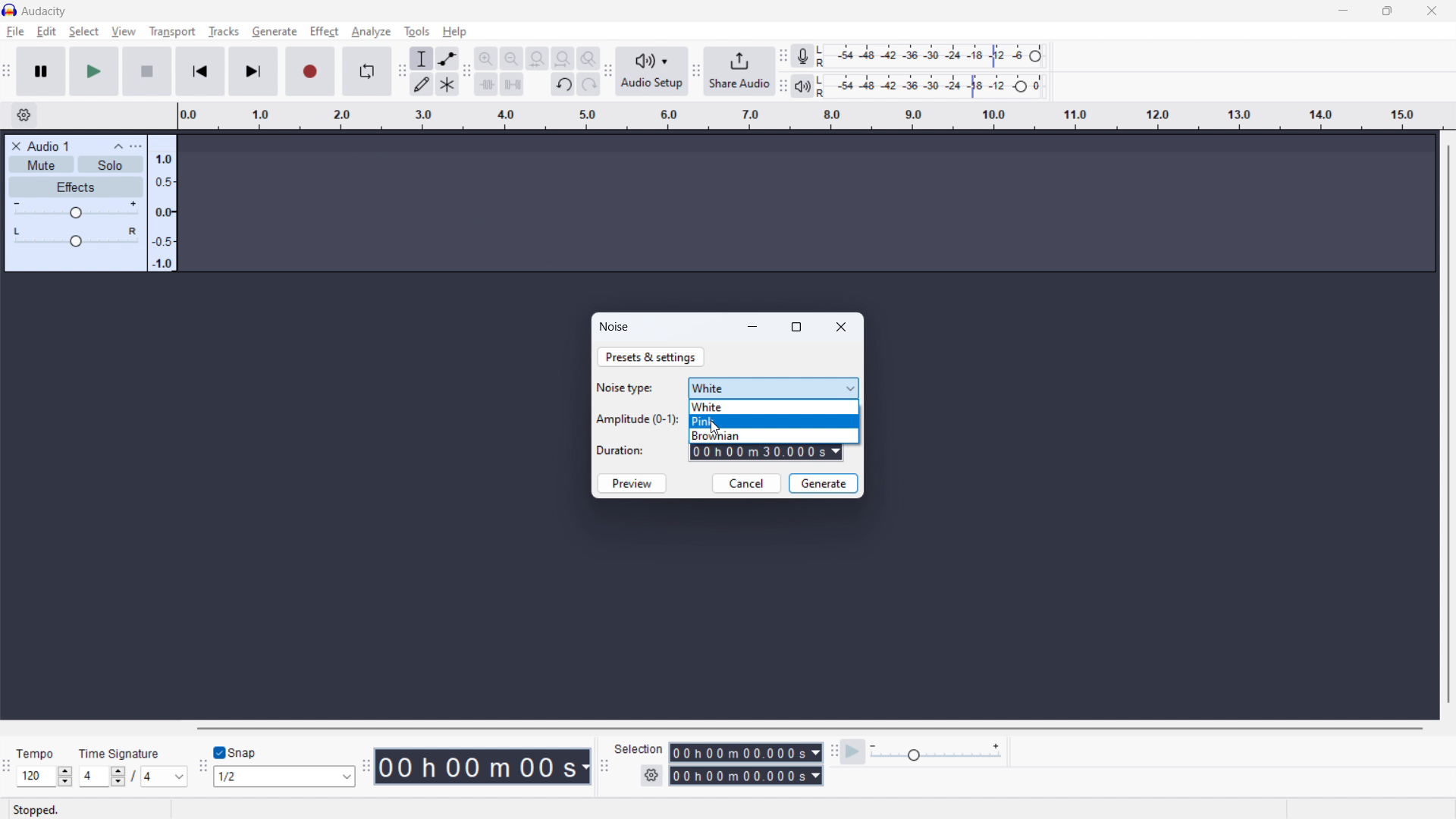  I want to click on preview, so click(632, 483).